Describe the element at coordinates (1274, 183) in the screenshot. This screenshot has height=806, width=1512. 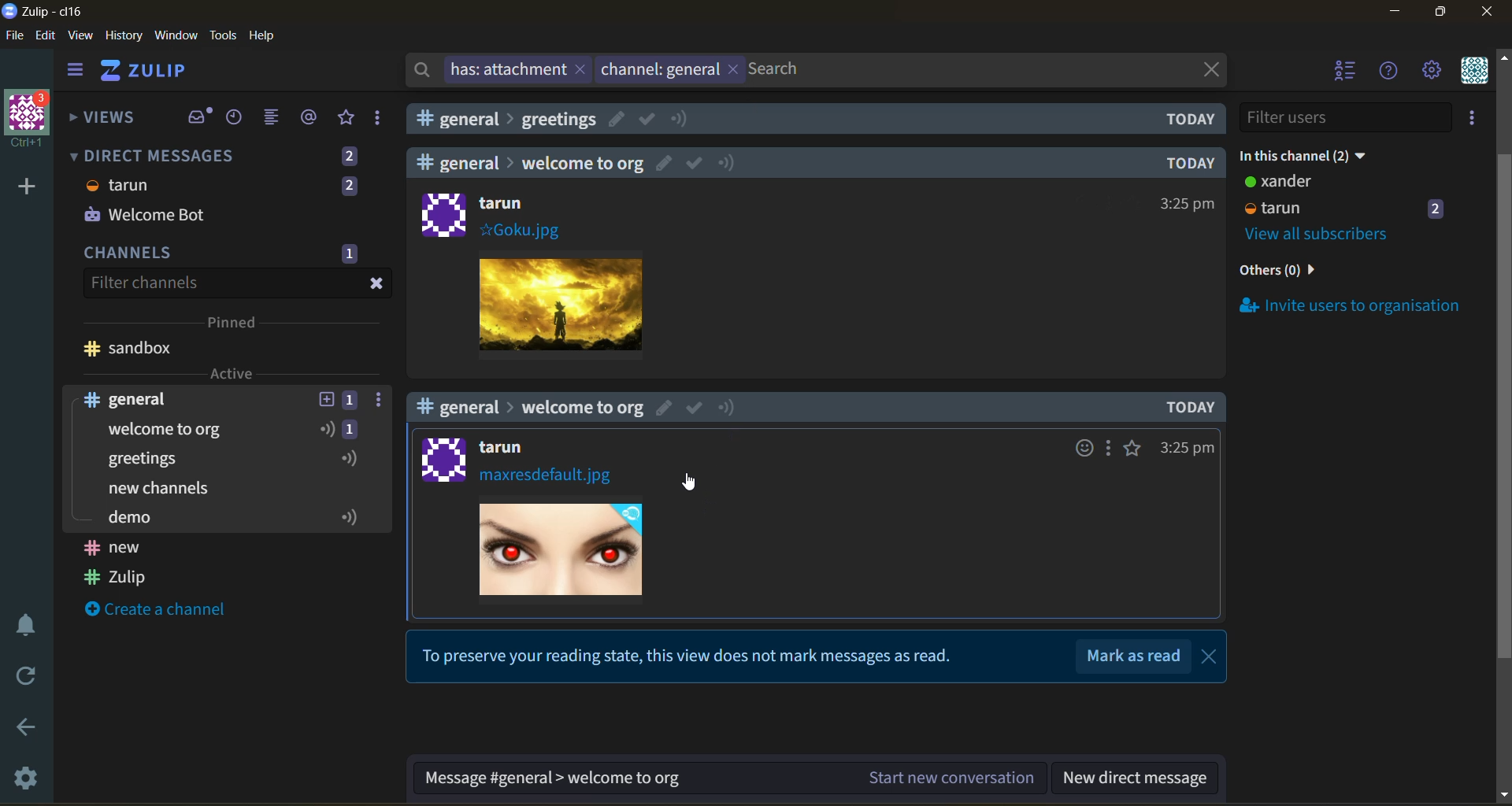
I see `tarun` at that location.